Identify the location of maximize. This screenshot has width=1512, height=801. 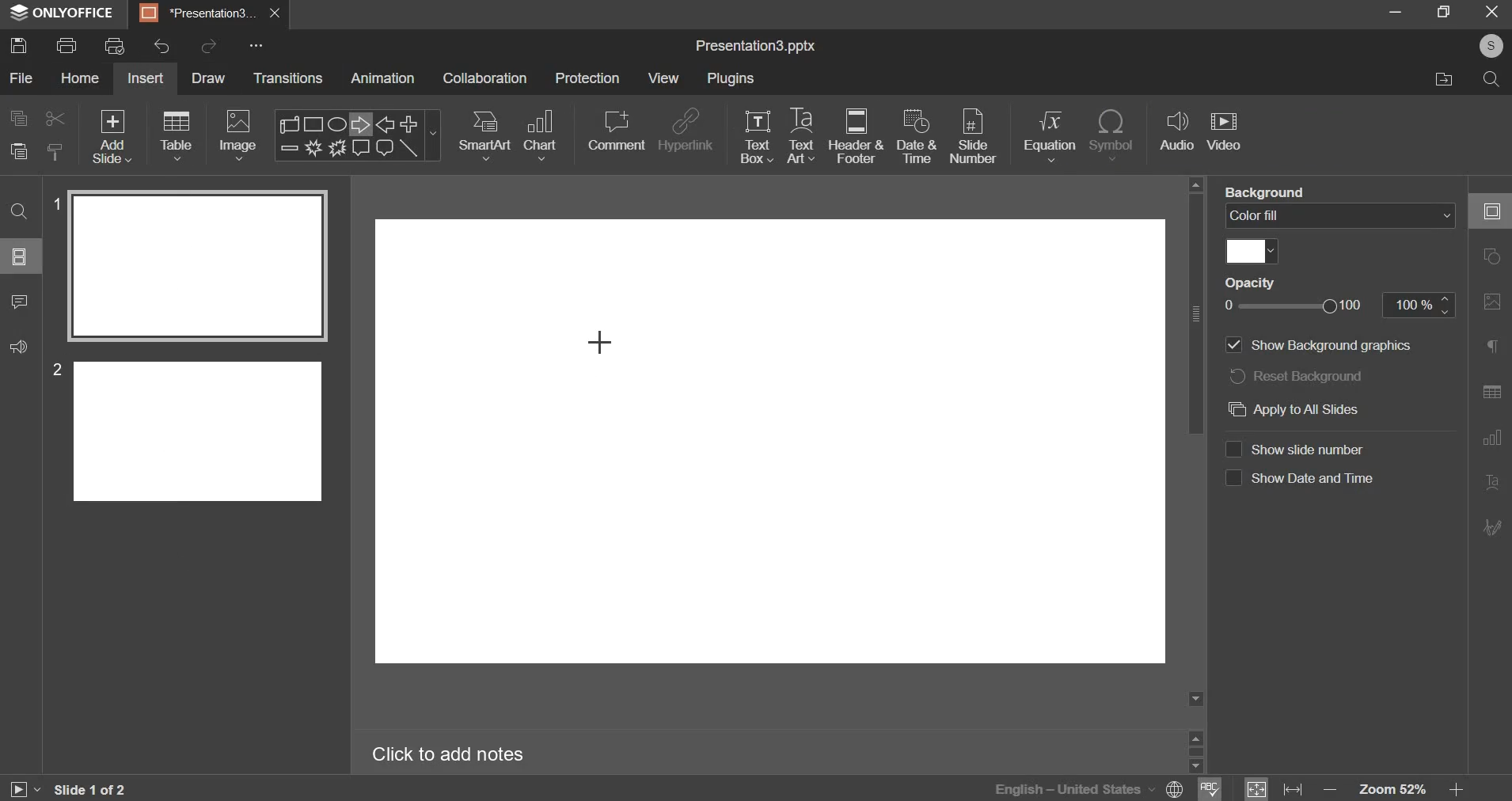
(1446, 11).